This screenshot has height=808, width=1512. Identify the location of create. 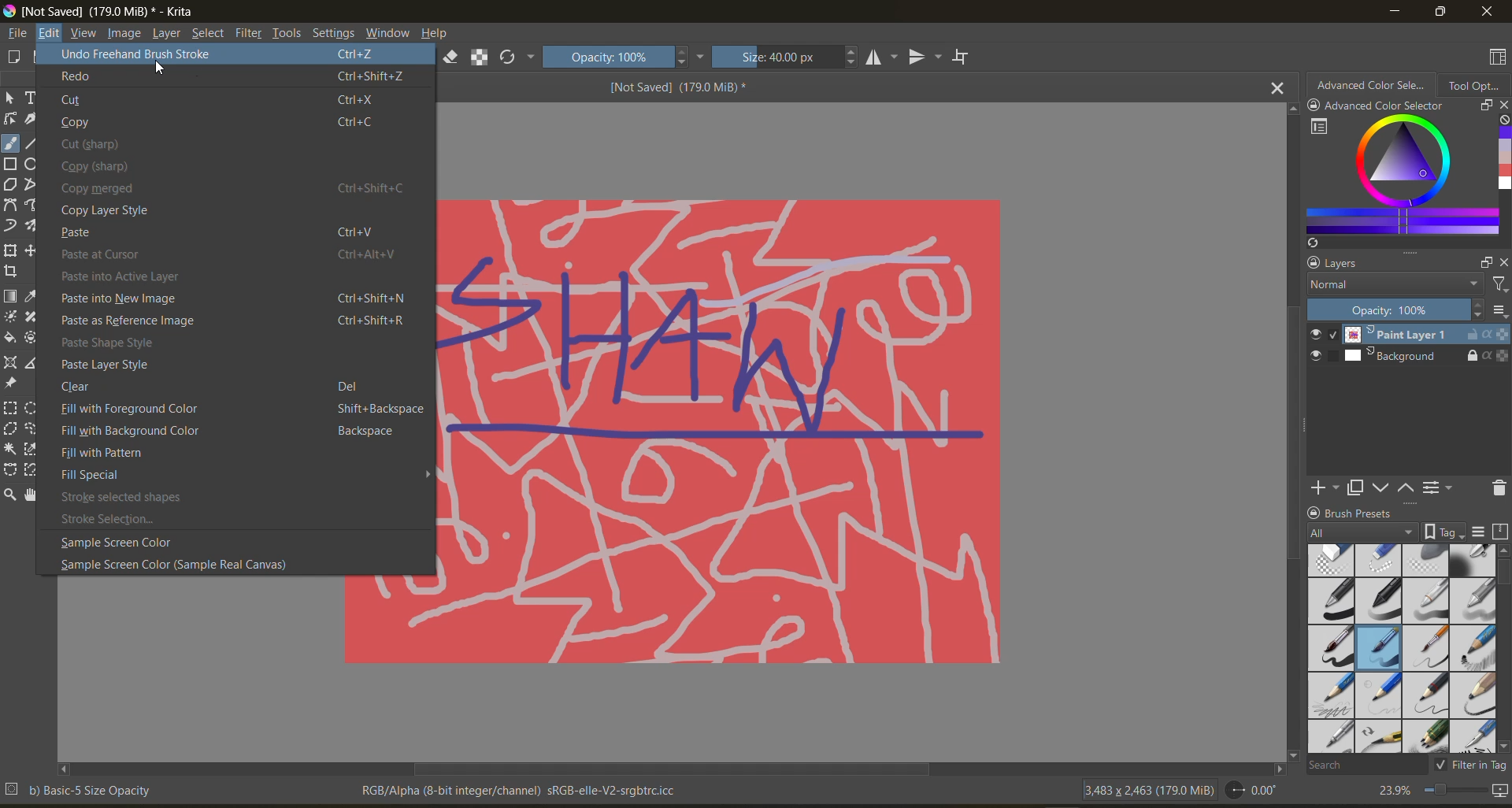
(13, 56).